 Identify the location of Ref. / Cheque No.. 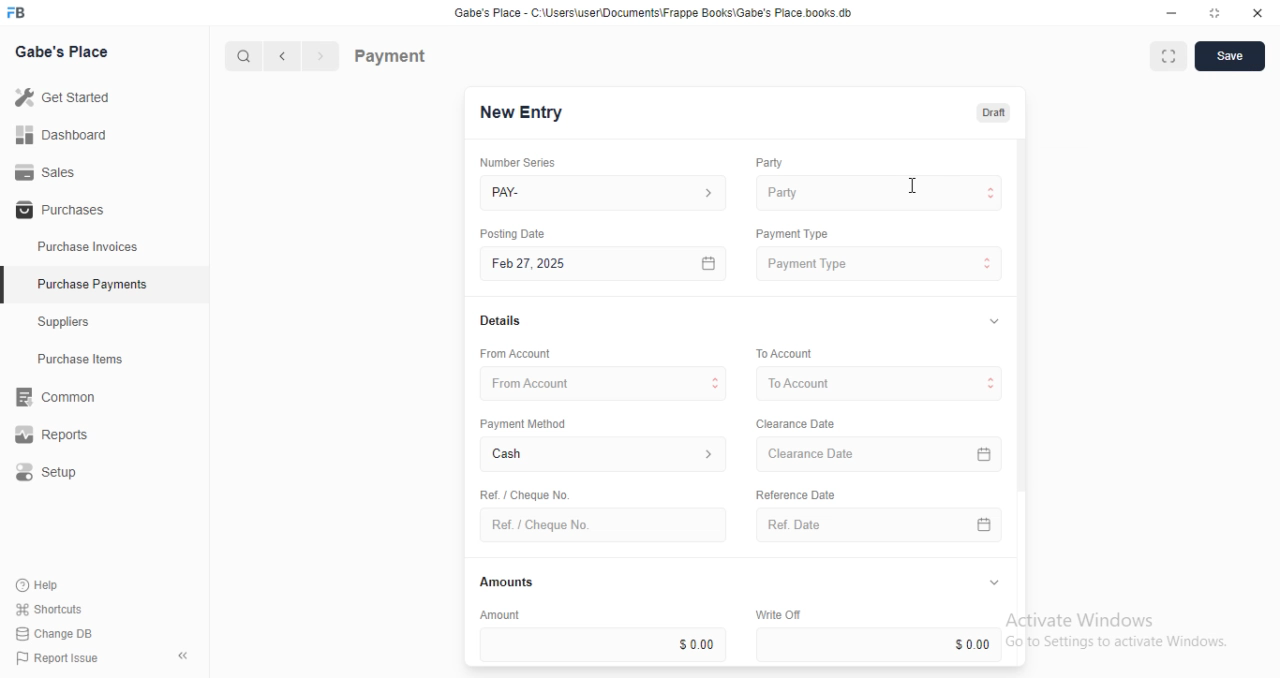
(602, 525).